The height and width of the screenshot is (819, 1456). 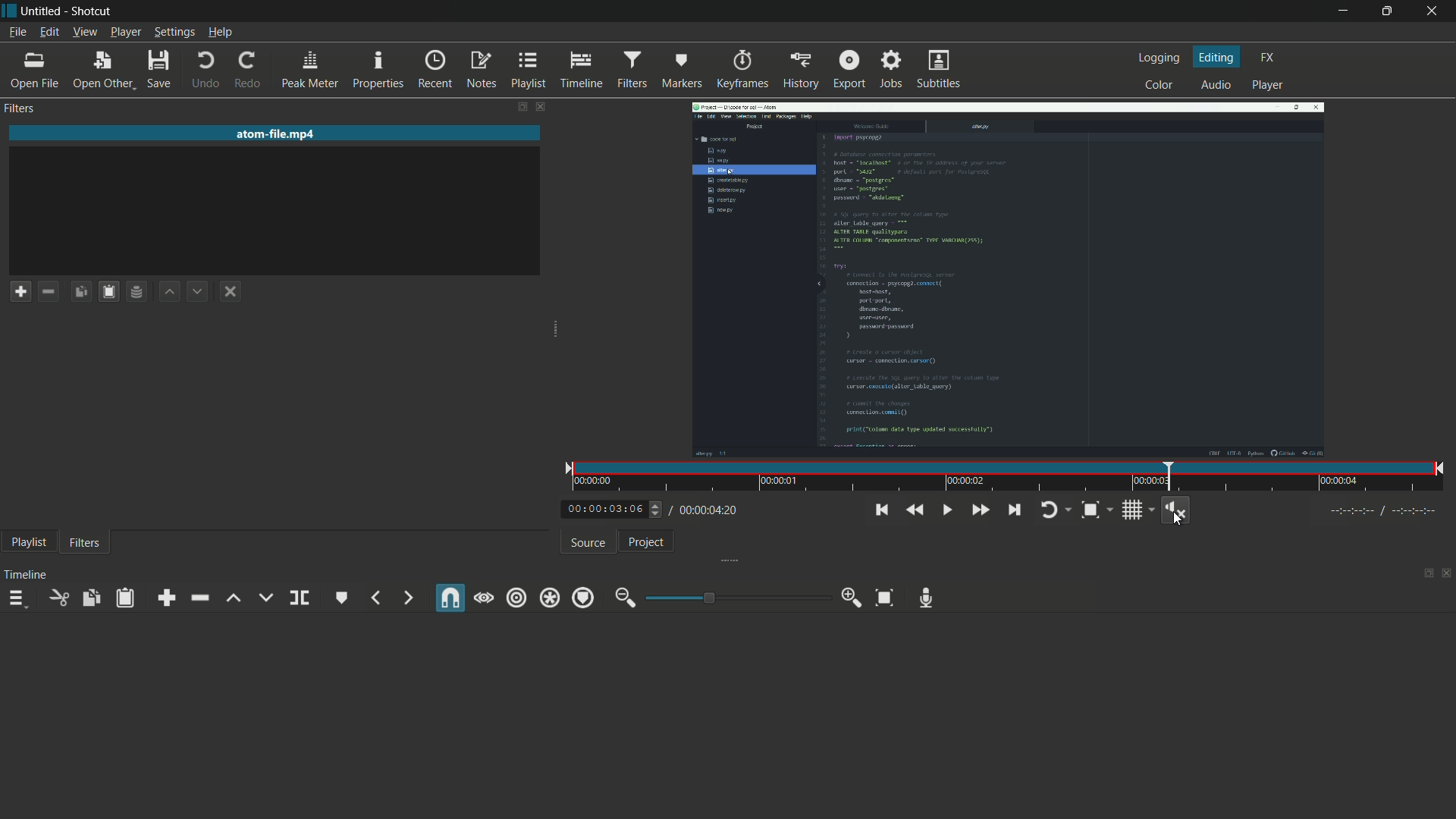 I want to click on toggle player looping, so click(x=1047, y=511).